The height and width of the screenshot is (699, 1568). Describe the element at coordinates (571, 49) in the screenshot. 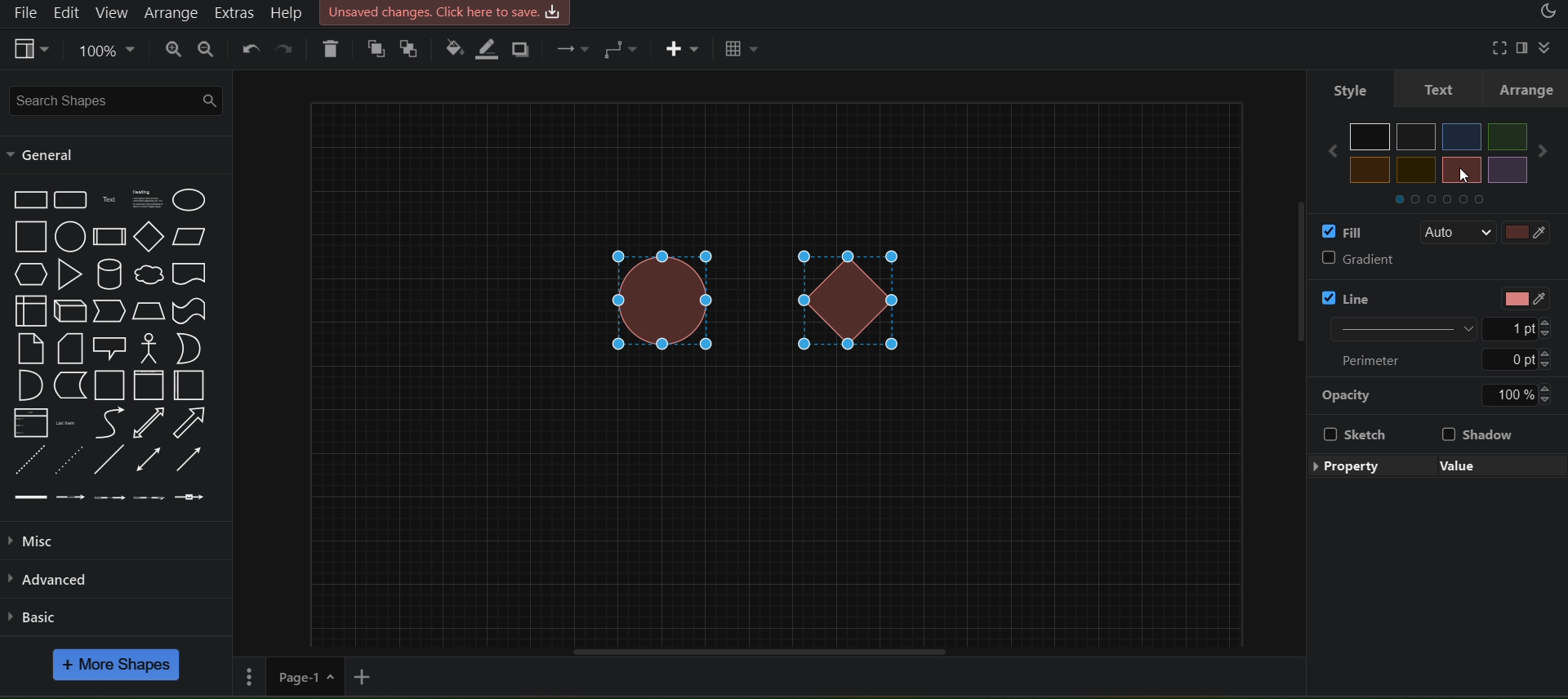

I see `connection` at that location.